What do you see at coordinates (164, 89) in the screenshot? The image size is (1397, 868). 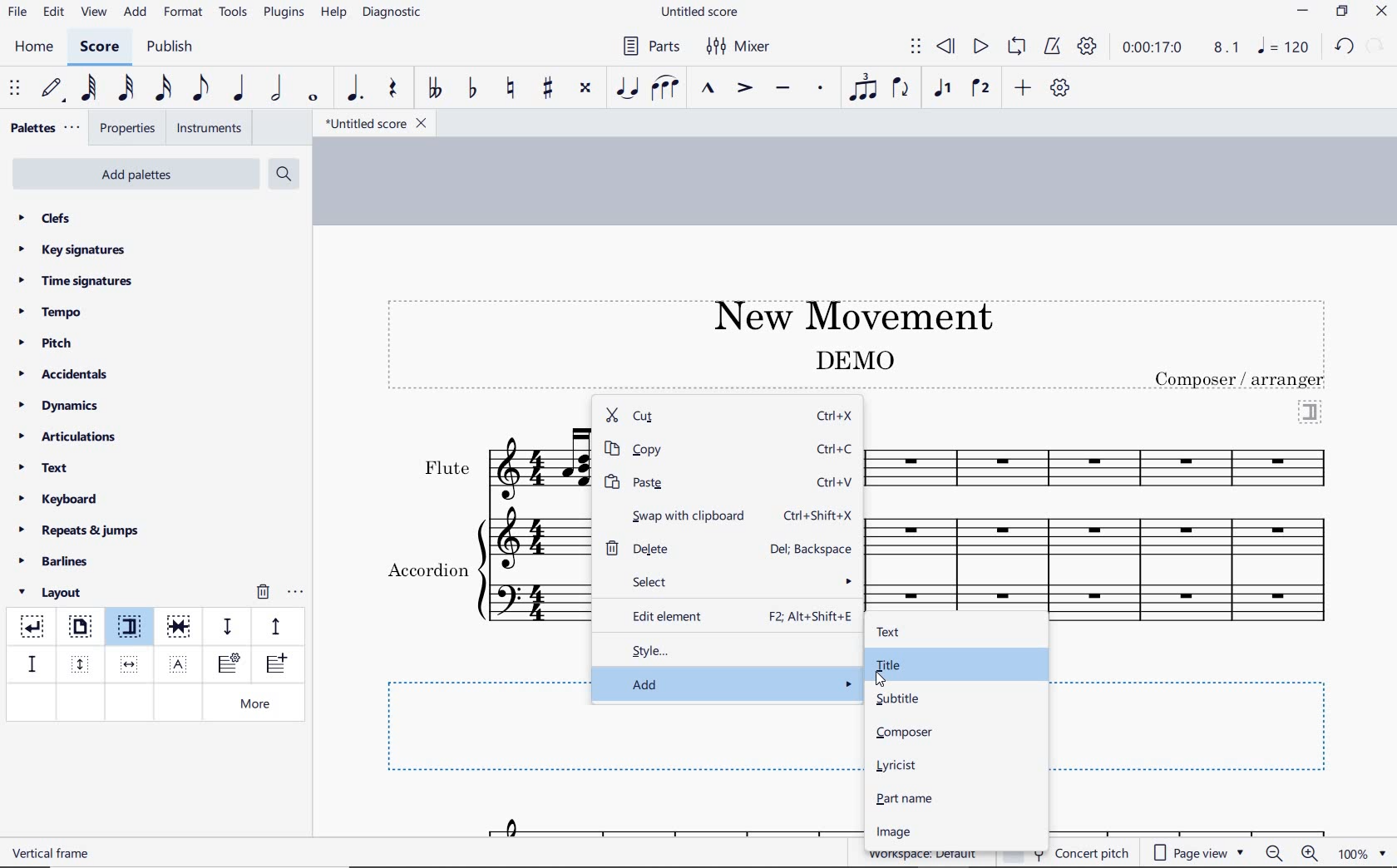 I see `16th note` at bounding box center [164, 89].